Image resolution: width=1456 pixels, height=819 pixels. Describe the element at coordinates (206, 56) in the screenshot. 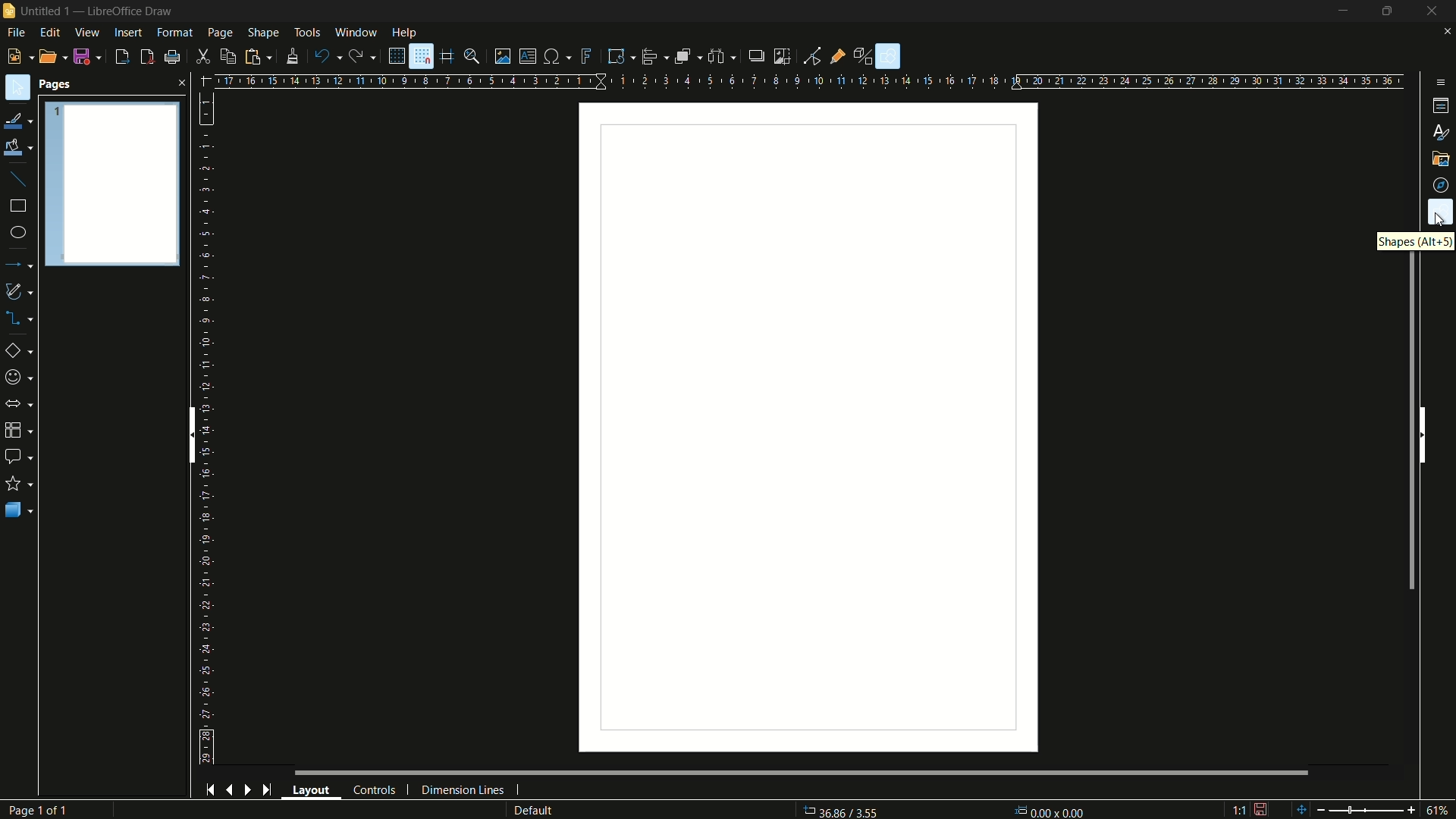

I see `cut` at that location.